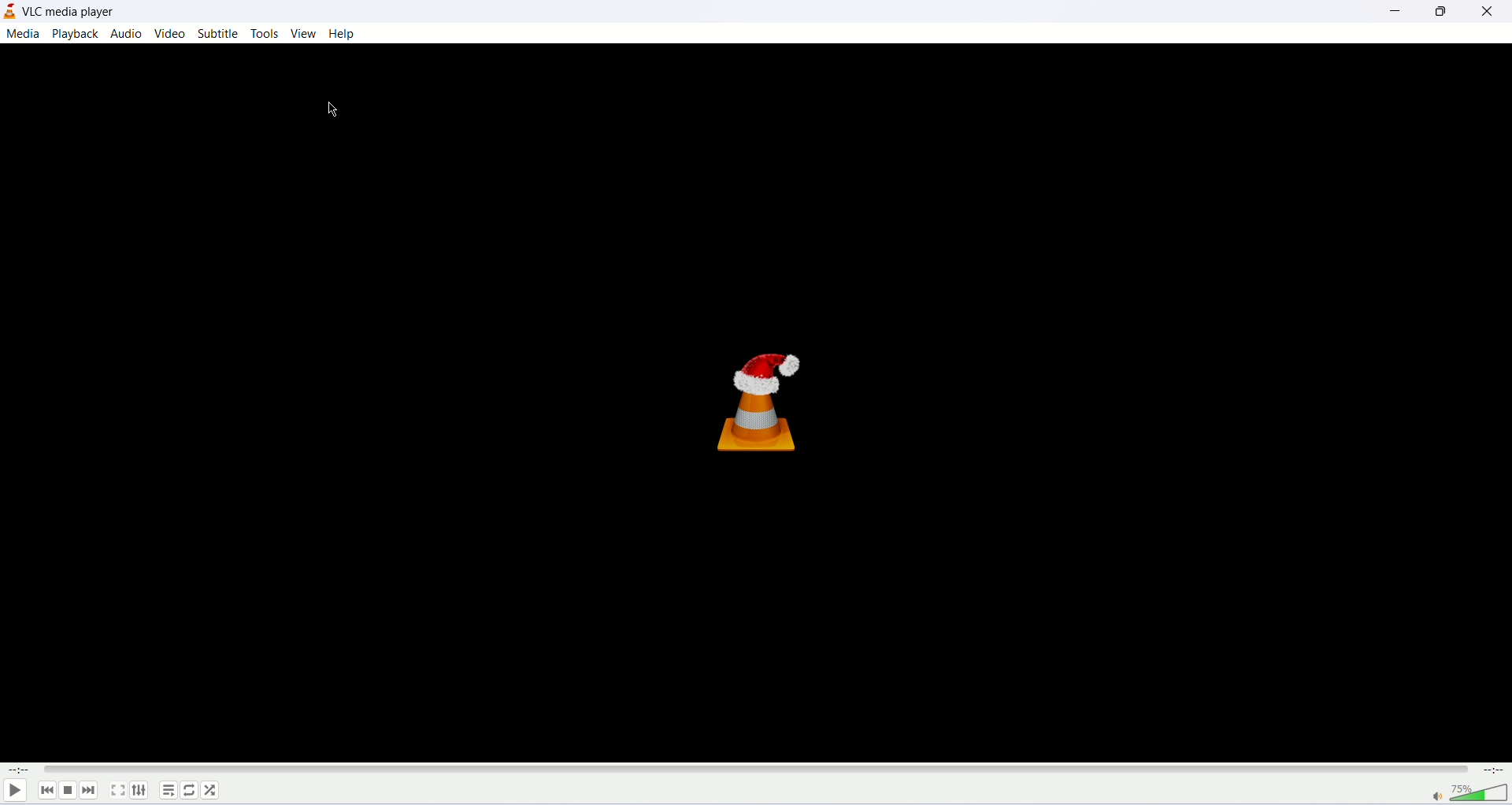  Describe the element at coordinates (167, 792) in the screenshot. I see `playlist` at that location.